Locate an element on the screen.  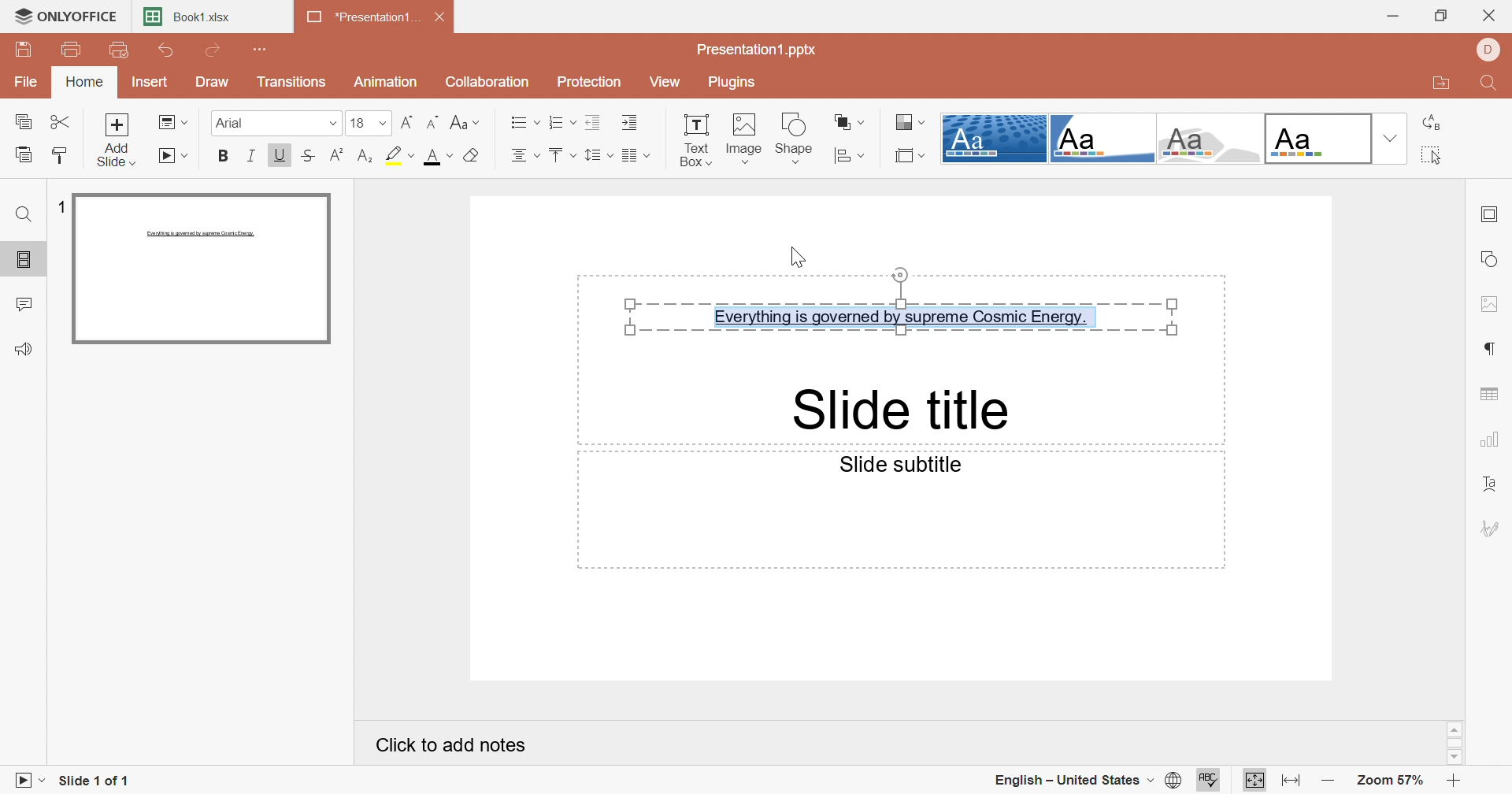
Image is located at coordinates (1492, 304).